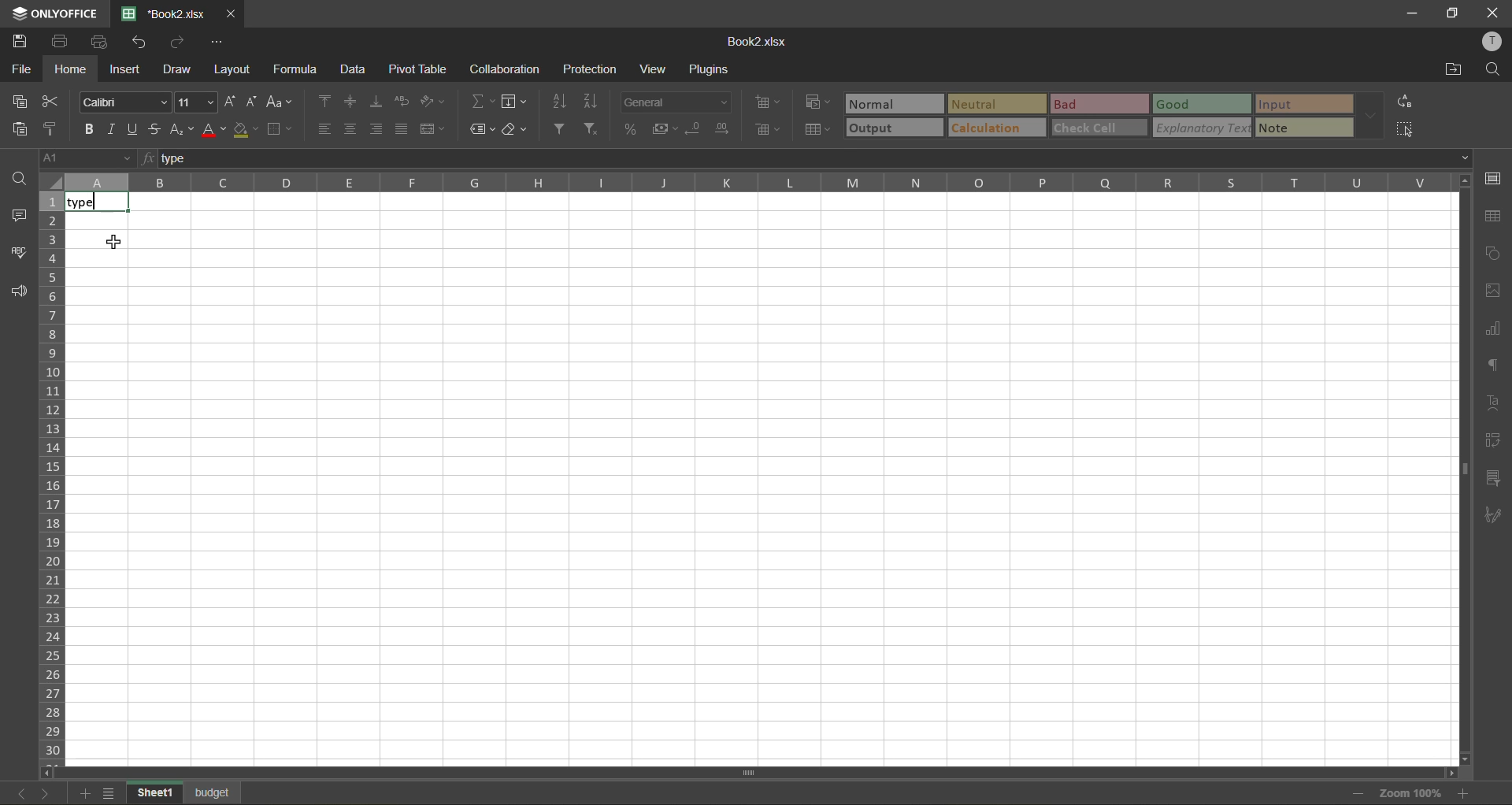 The image size is (1512, 805). Describe the element at coordinates (727, 130) in the screenshot. I see `increase decimal` at that location.